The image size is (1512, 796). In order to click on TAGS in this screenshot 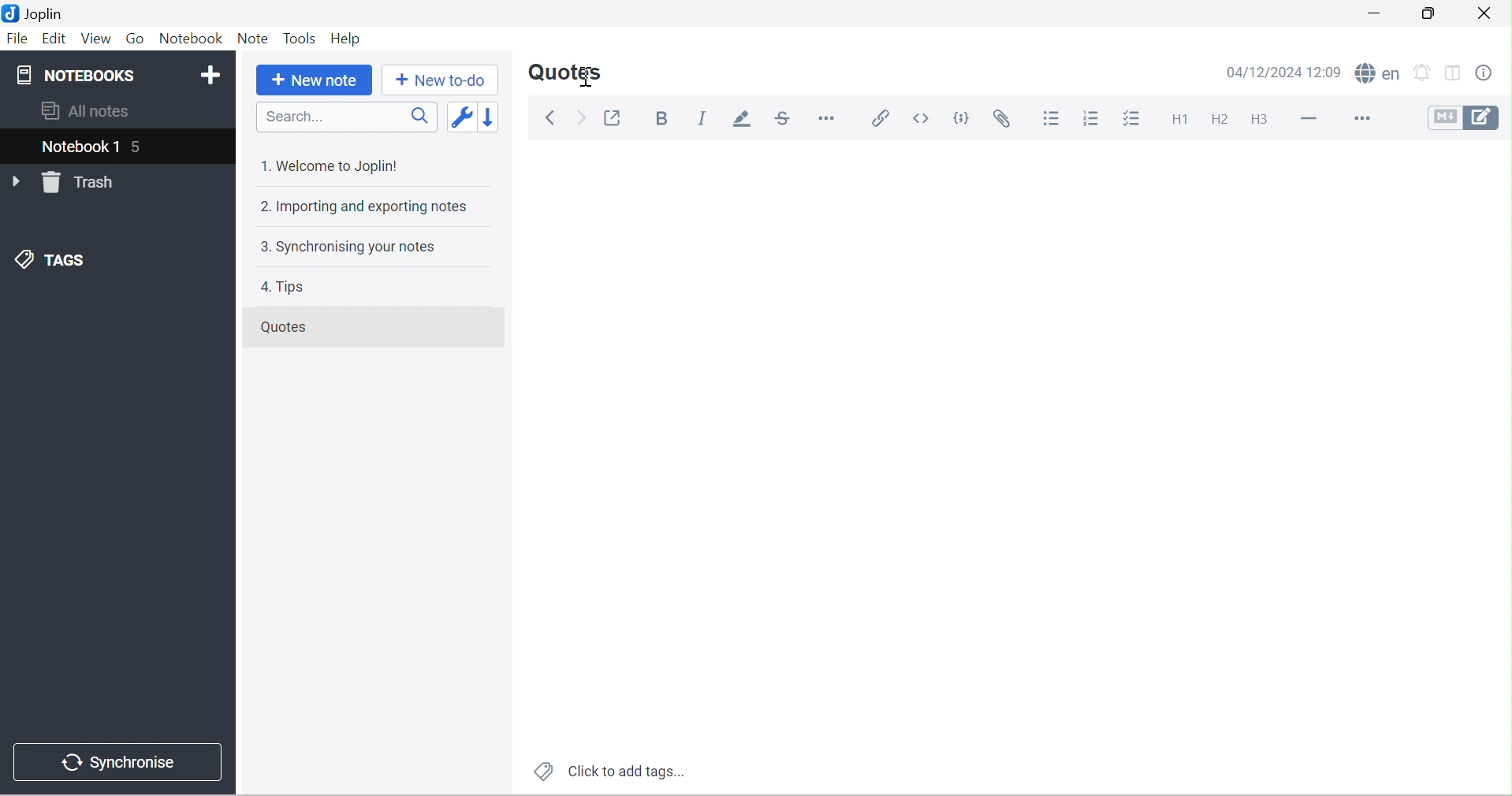, I will do `click(54, 259)`.